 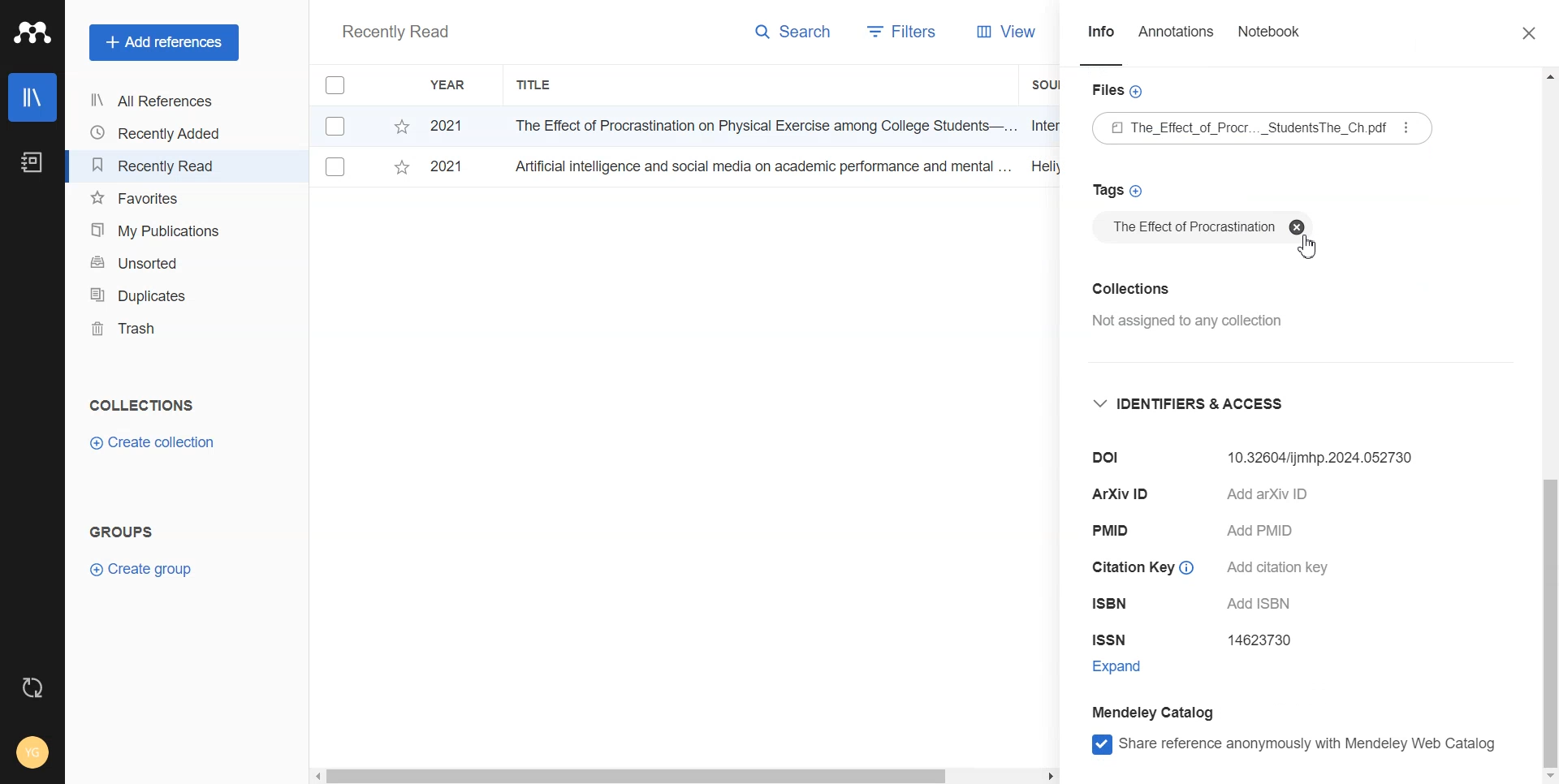 What do you see at coordinates (34, 751) in the screenshot?
I see `Account` at bounding box center [34, 751].